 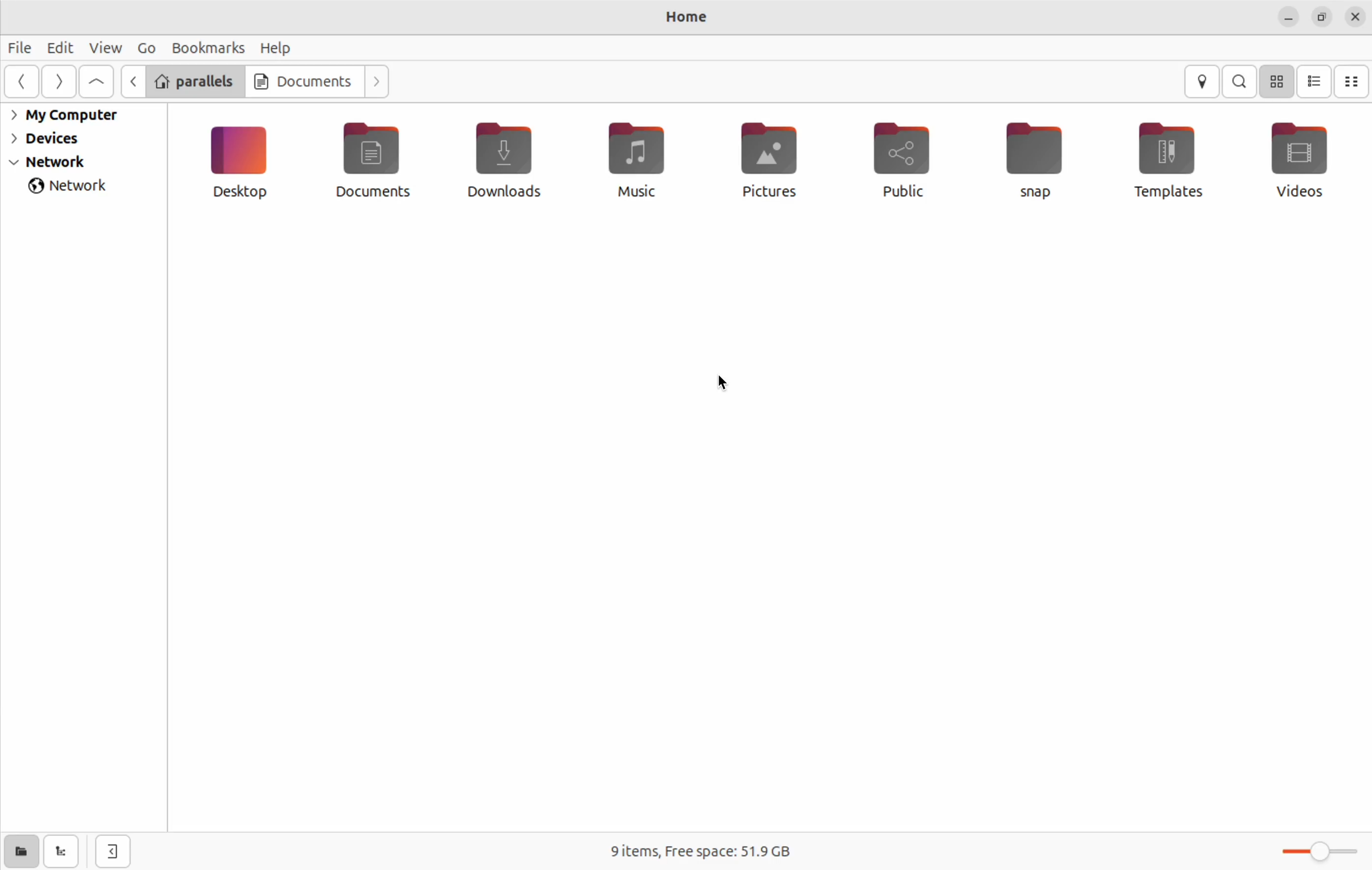 I want to click on show places, so click(x=18, y=854).